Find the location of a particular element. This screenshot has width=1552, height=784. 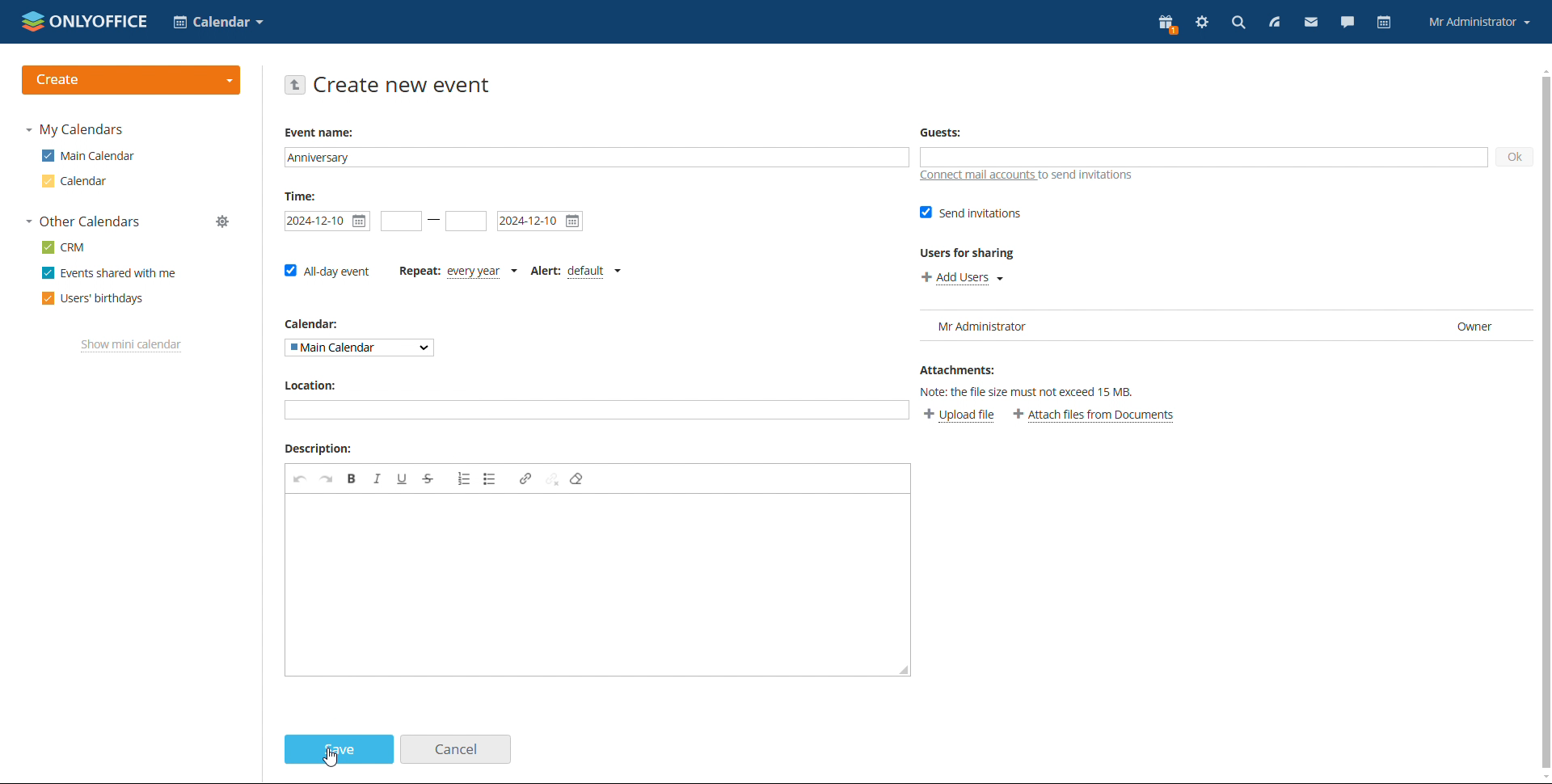

underline is located at coordinates (402, 478).